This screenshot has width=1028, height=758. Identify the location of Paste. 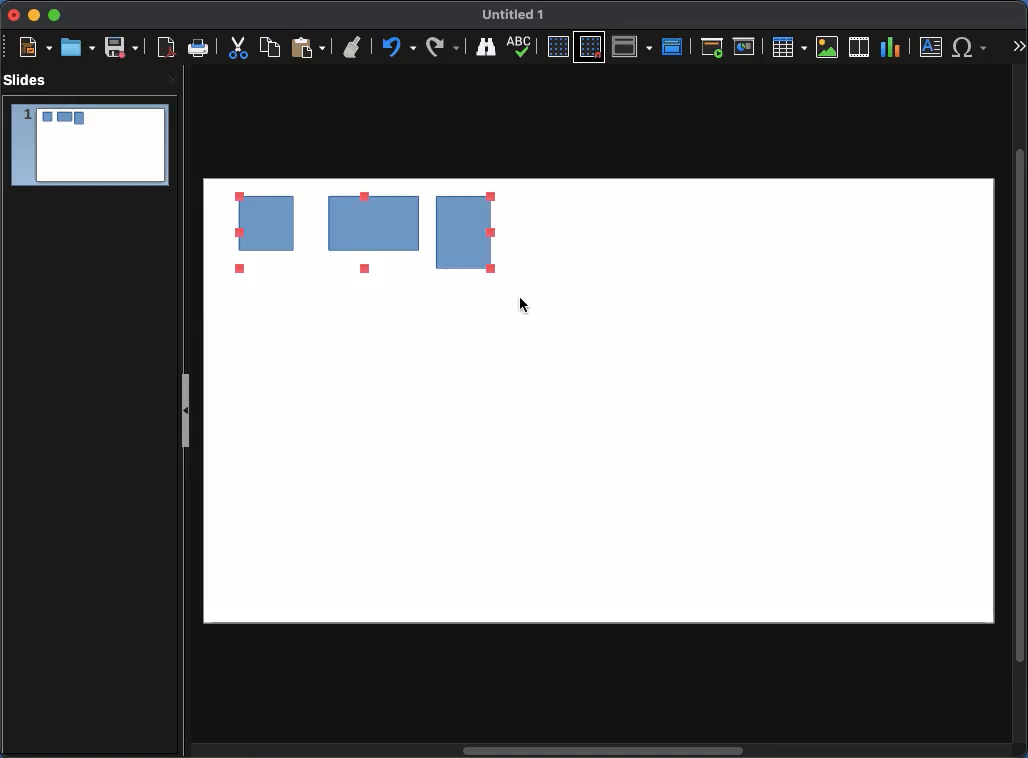
(306, 48).